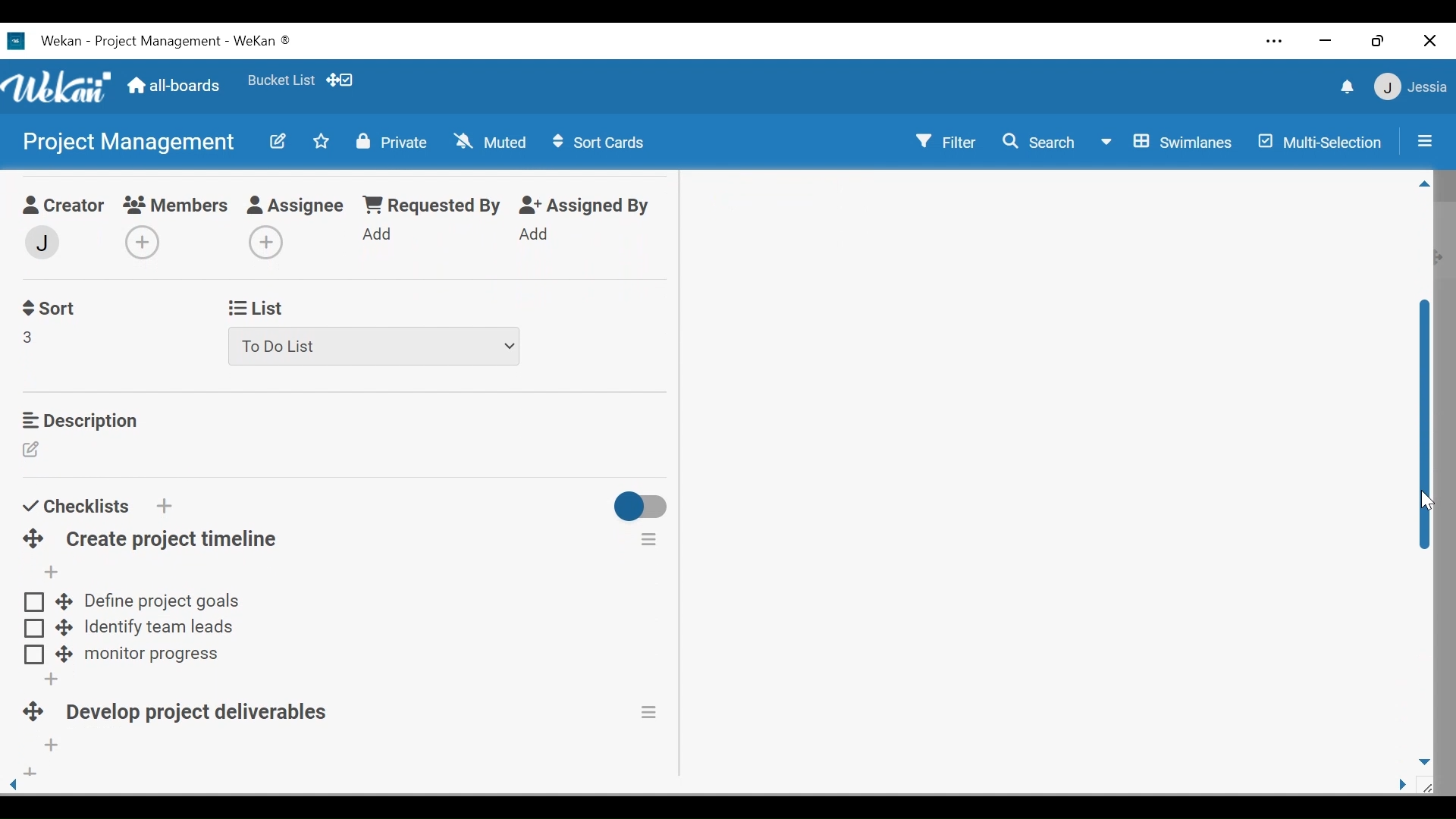  Describe the element at coordinates (1345, 86) in the screenshot. I see `notifications` at that location.